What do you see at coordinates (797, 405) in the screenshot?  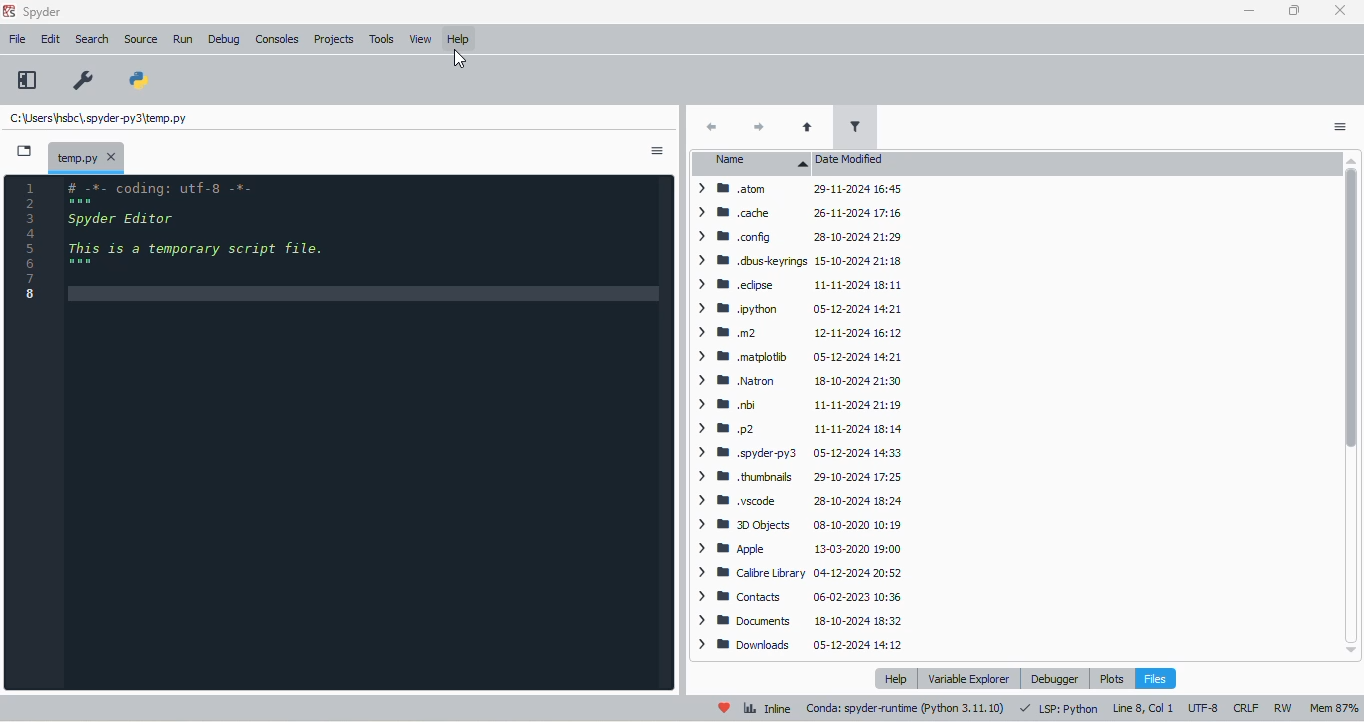 I see `> BB bi 11-11-2024 21:19` at bounding box center [797, 405].